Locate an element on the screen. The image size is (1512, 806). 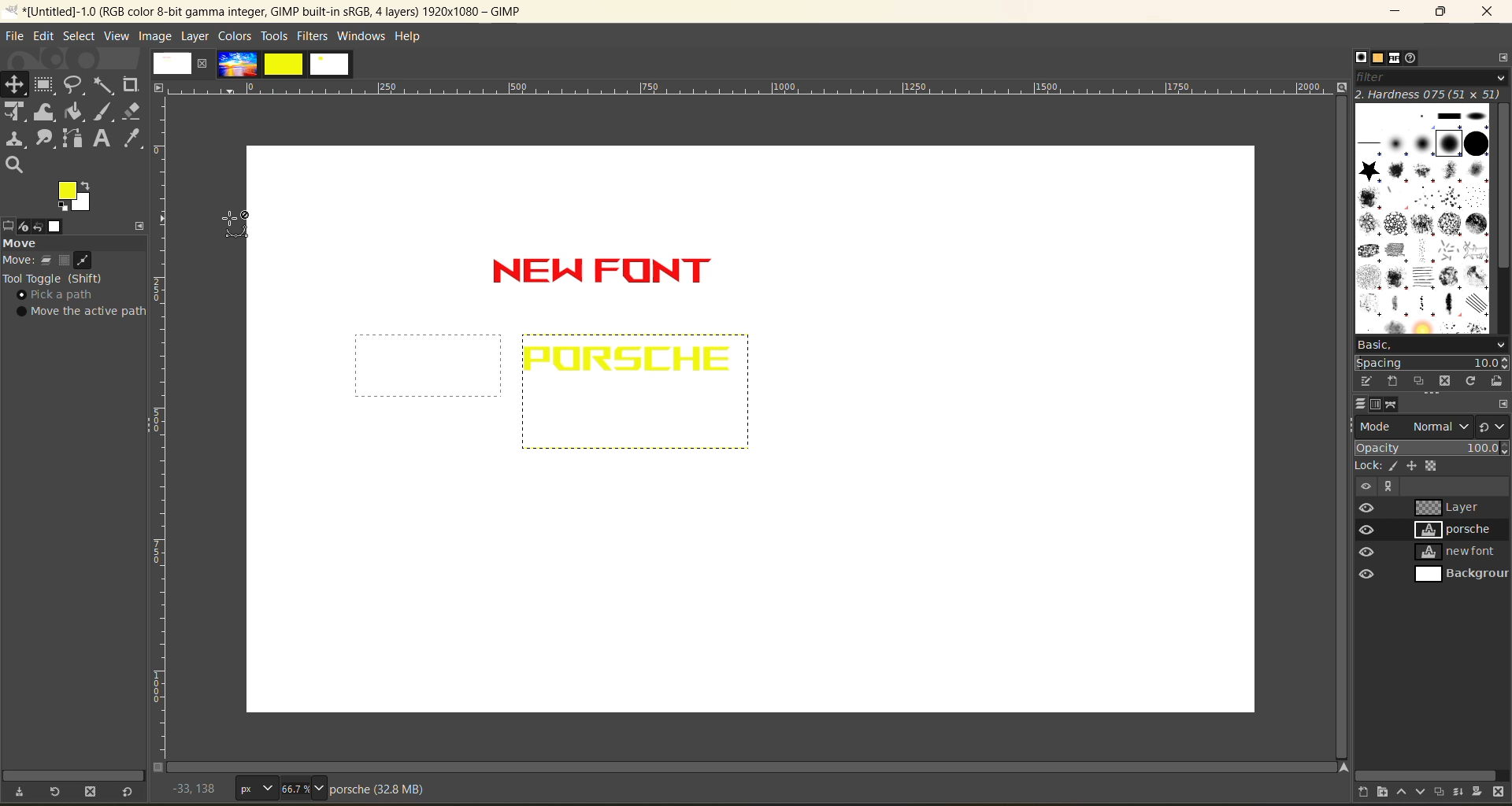
select is located at coordinates (78, 39).